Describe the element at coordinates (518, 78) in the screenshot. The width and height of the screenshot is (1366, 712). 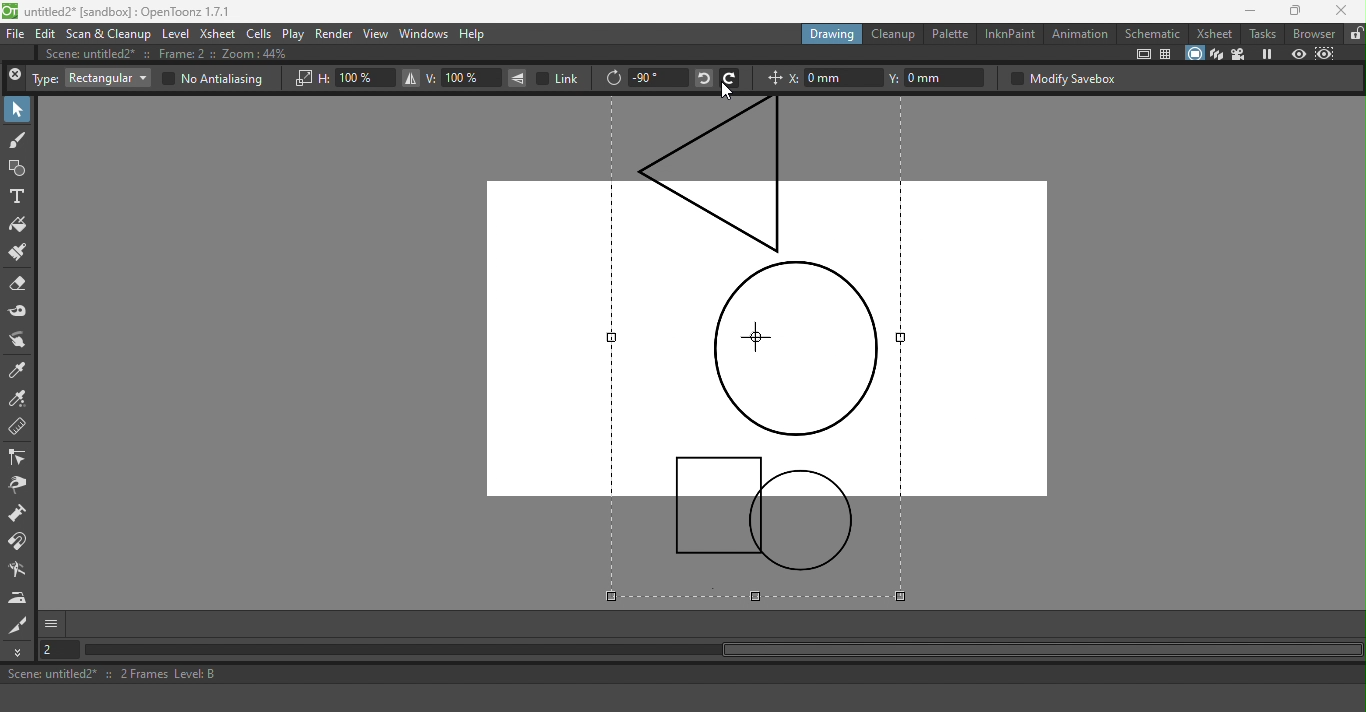
I see `Flip selection vertically` at that location.